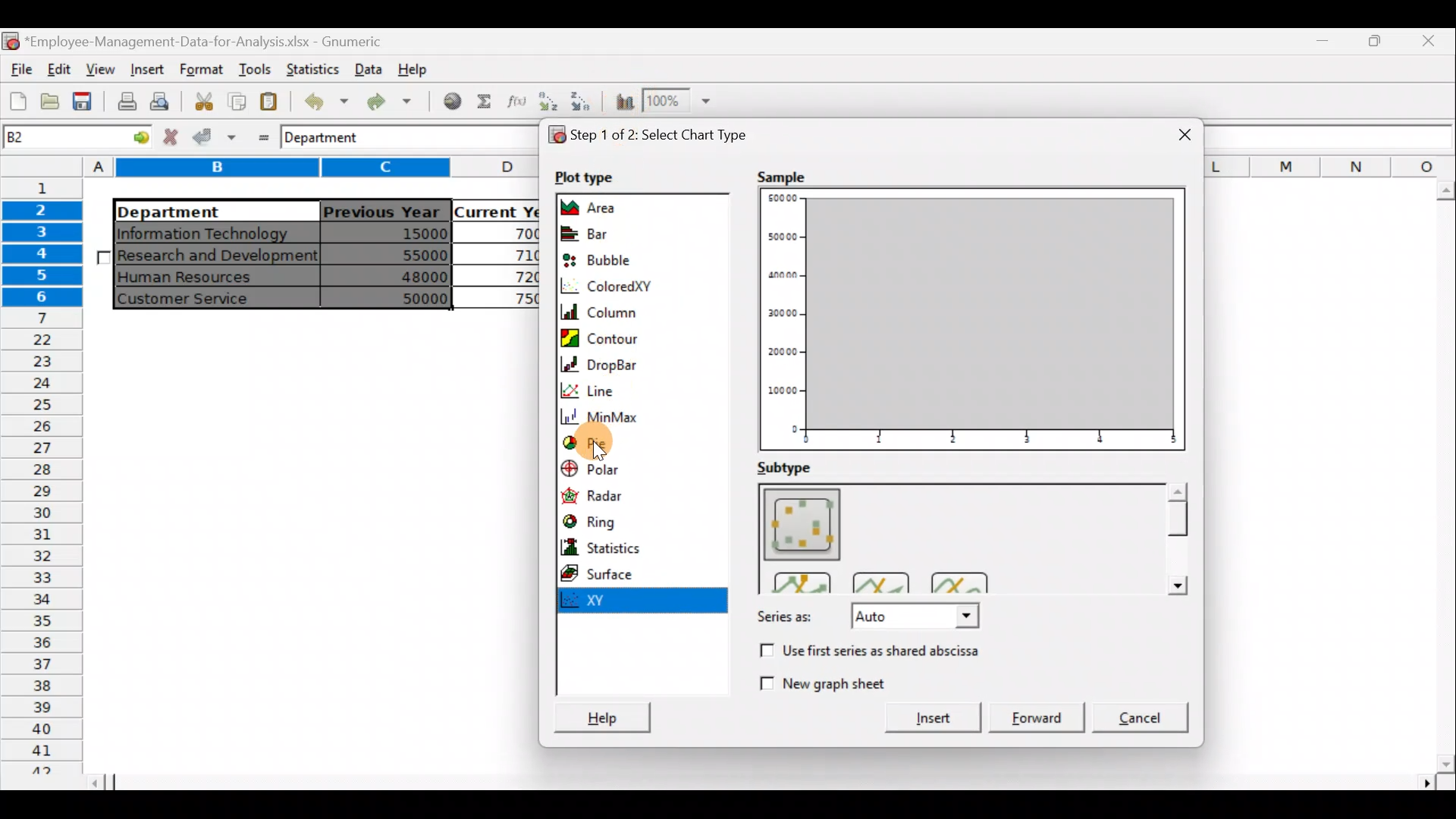  Describe the element at coordinates (49, 104) in the screenshot. I see `Open a file` at that location.